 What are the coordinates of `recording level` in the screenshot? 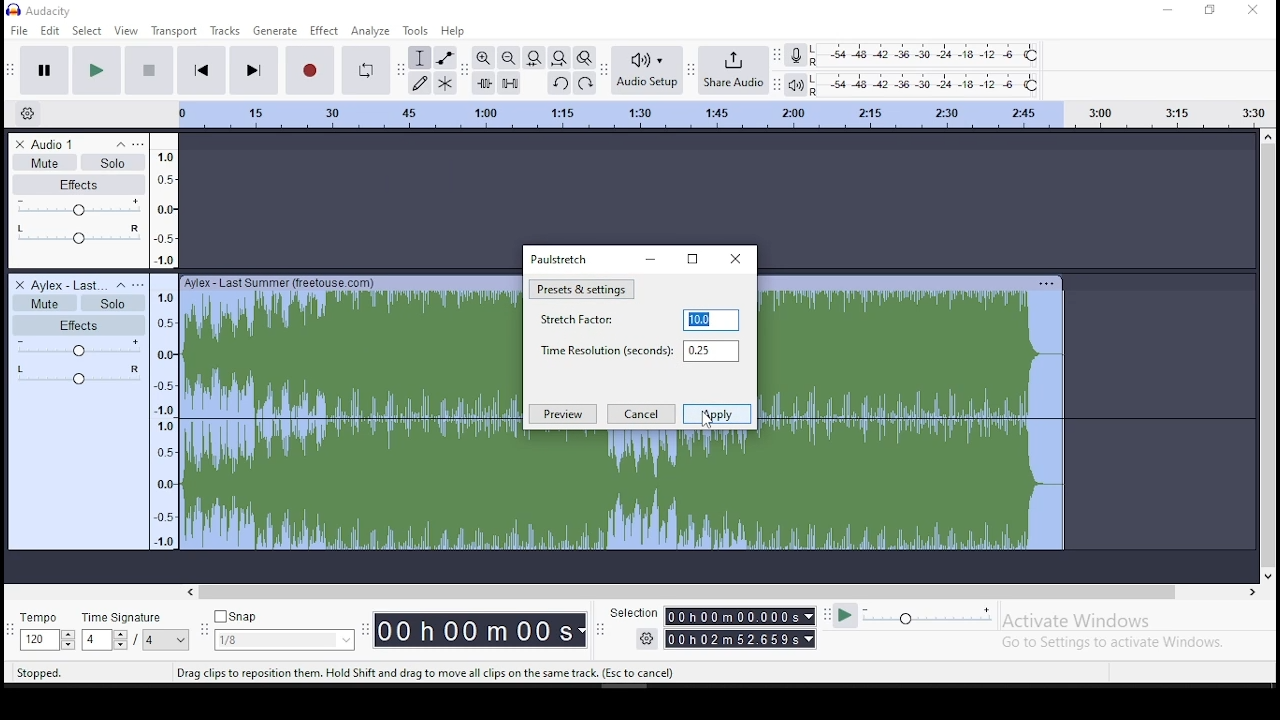 It's located at (928, 56).